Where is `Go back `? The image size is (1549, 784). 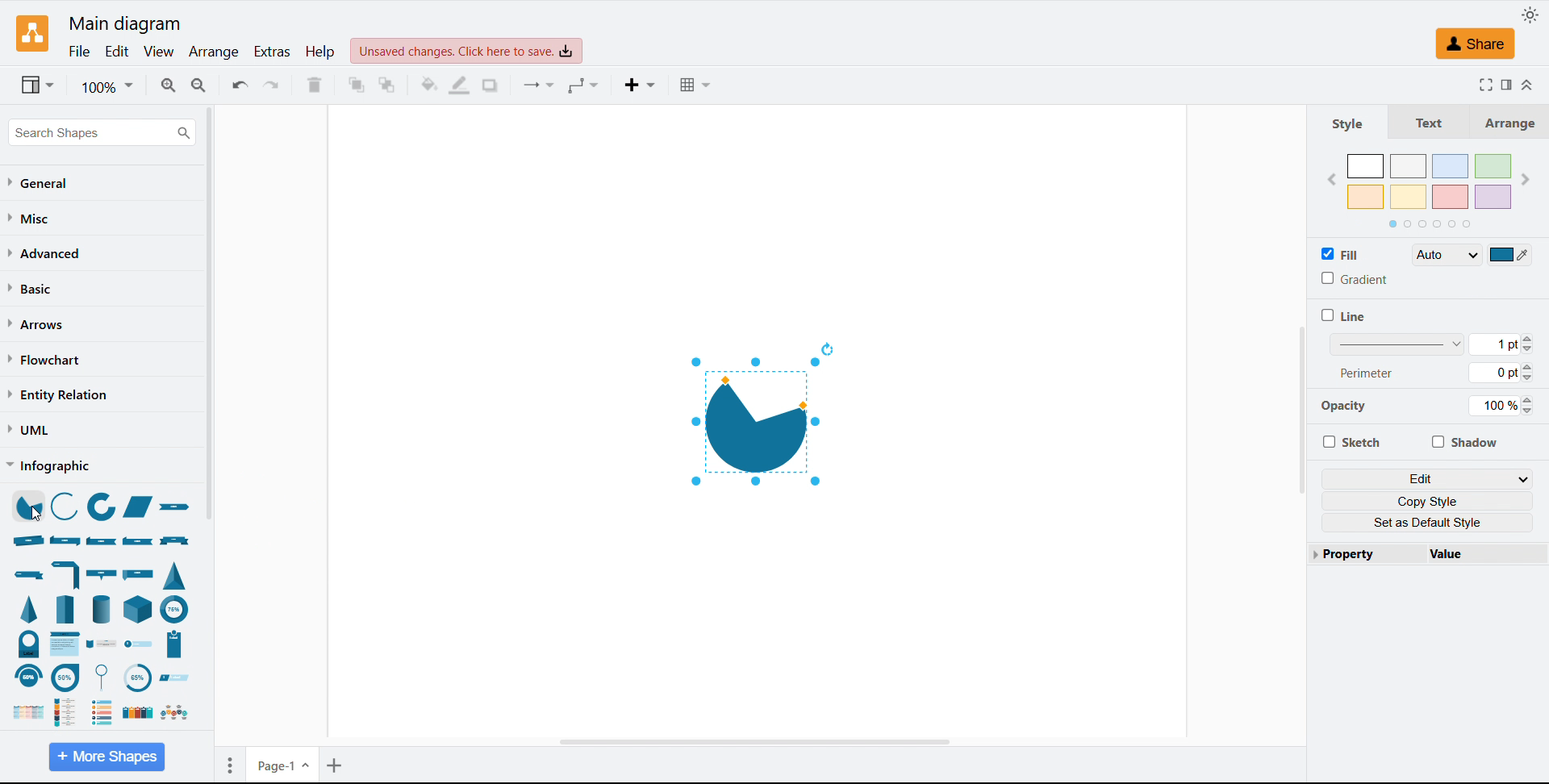 Go back  is located at coordinates (1334, 177).